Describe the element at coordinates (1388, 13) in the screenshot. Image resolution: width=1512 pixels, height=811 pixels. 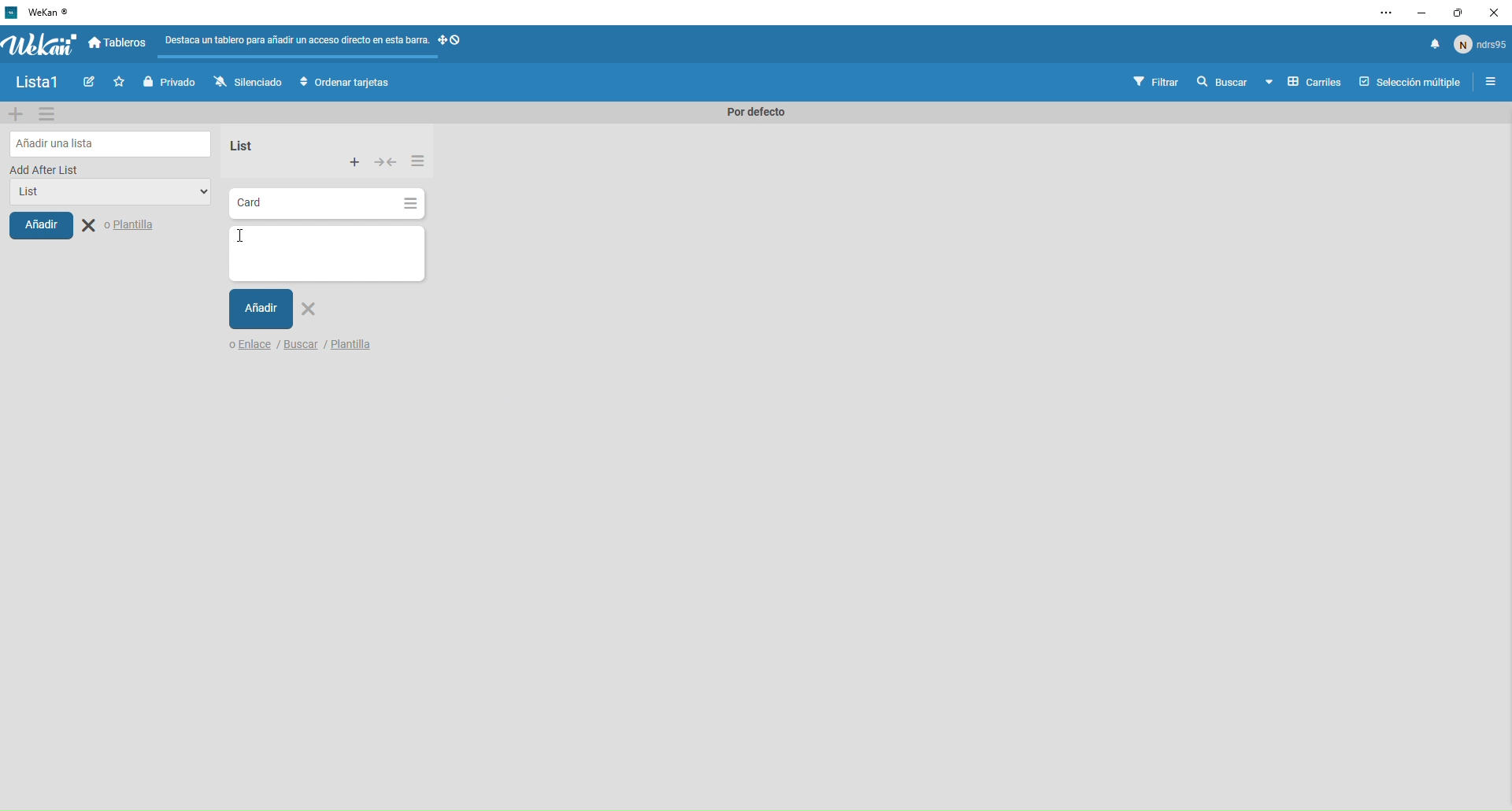
I see `more options` at that location.